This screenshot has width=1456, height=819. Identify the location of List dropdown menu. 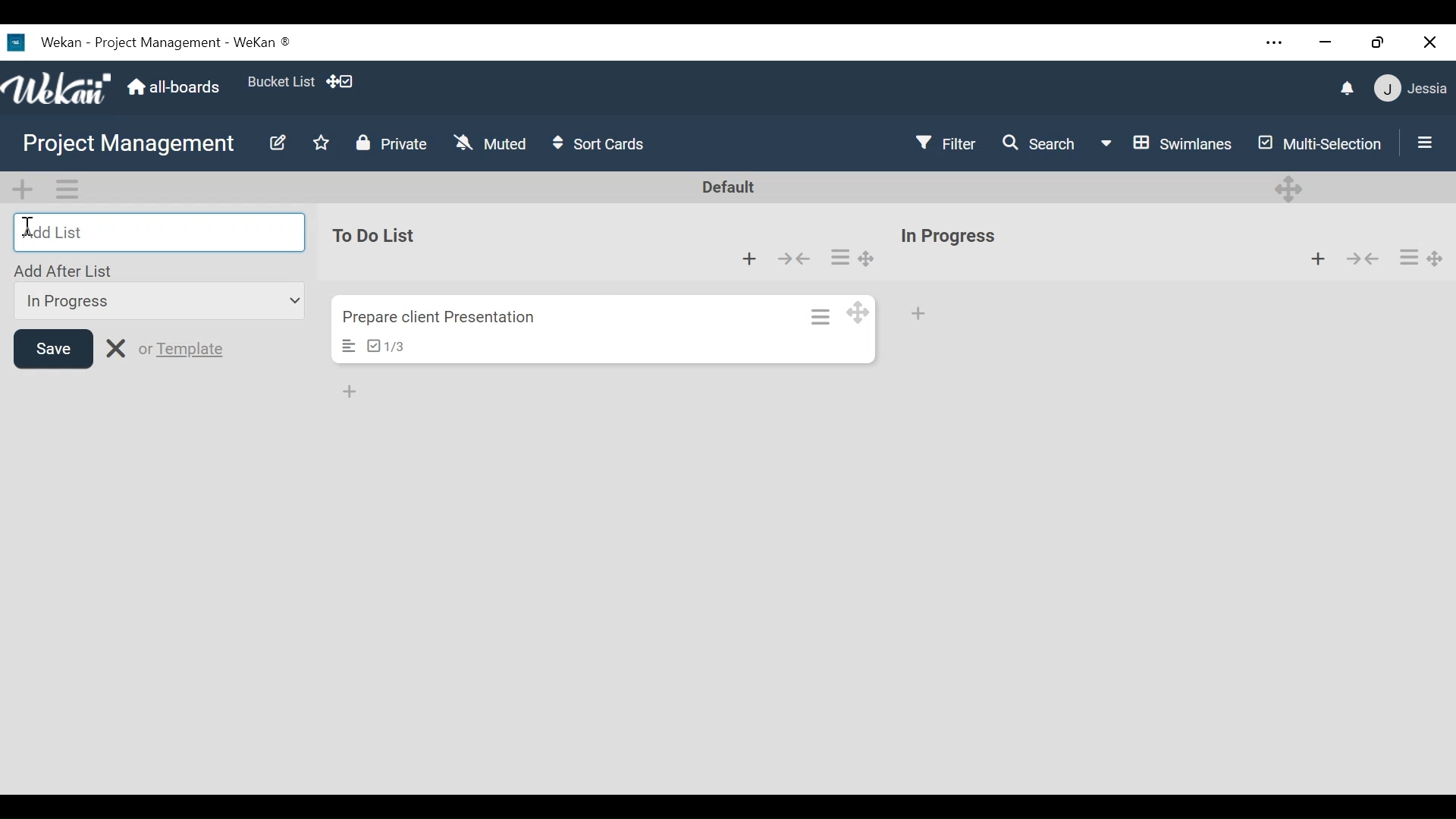
(158, 301).